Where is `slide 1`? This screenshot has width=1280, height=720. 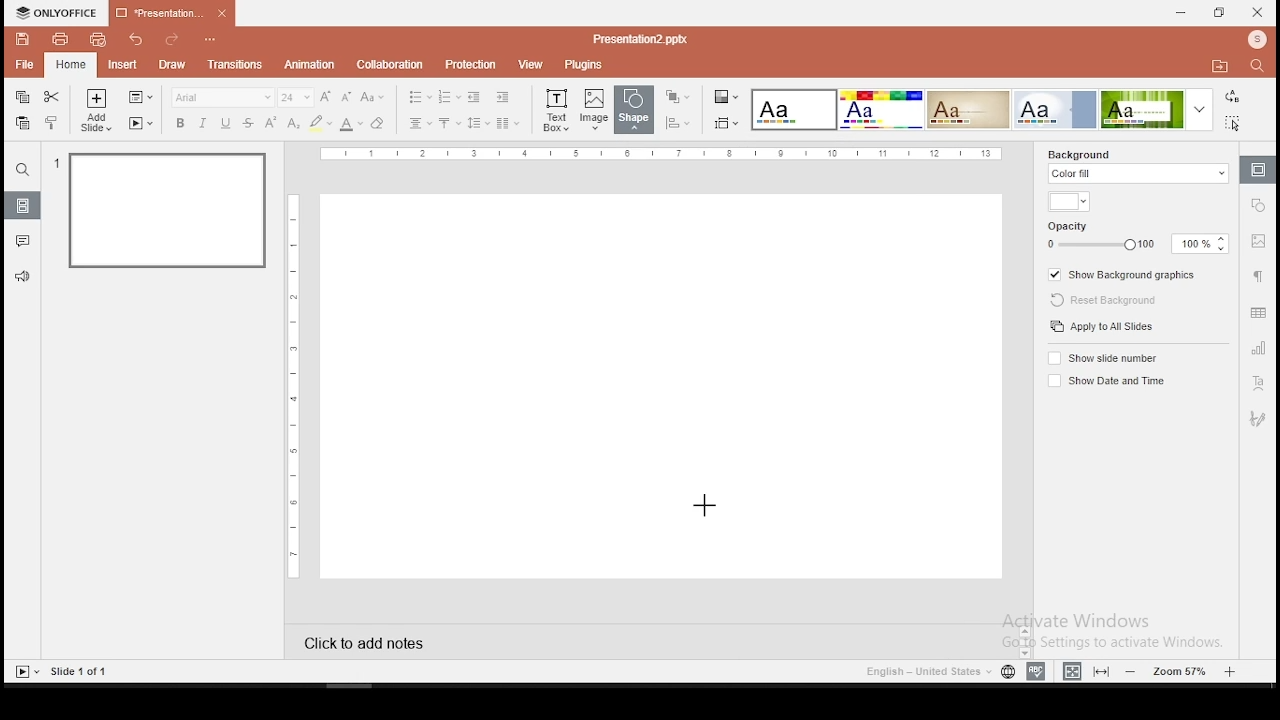 slide 1 is located at coordinates (170, 213).